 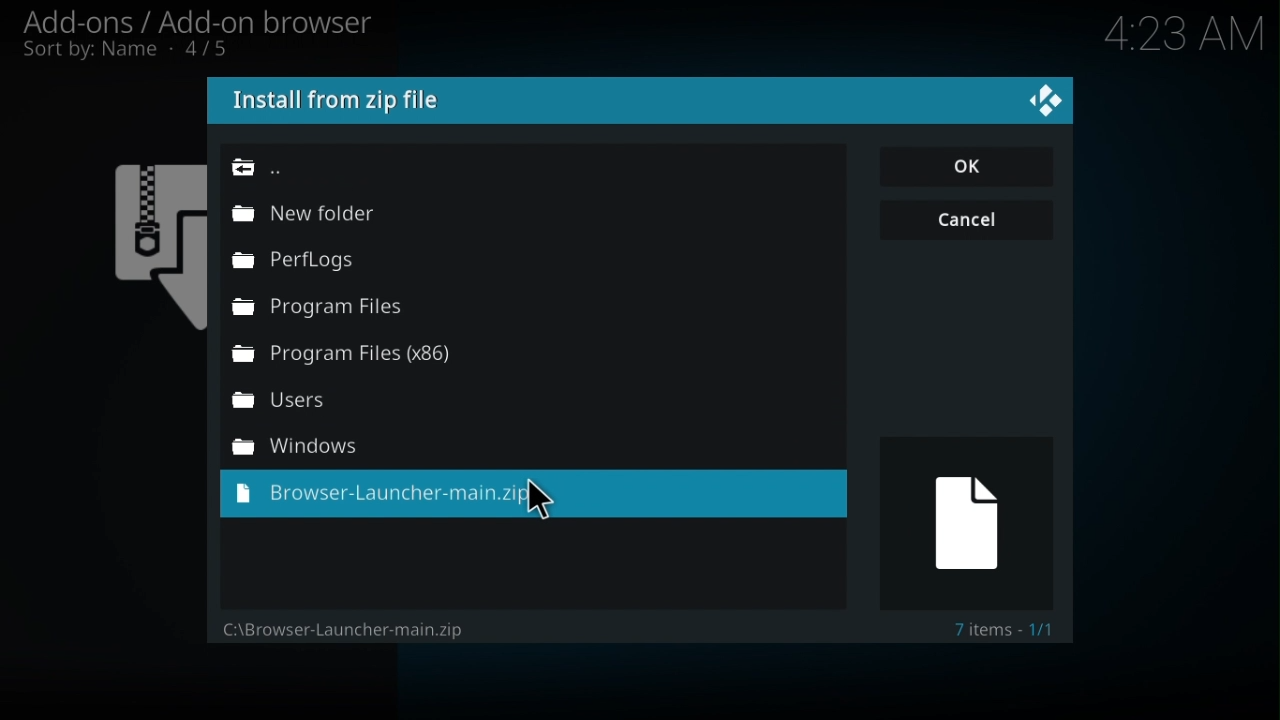 What do you see at coordinates (310, 261) in the screenshot?
I see `Perf logs` at bounding box center [310, 261].